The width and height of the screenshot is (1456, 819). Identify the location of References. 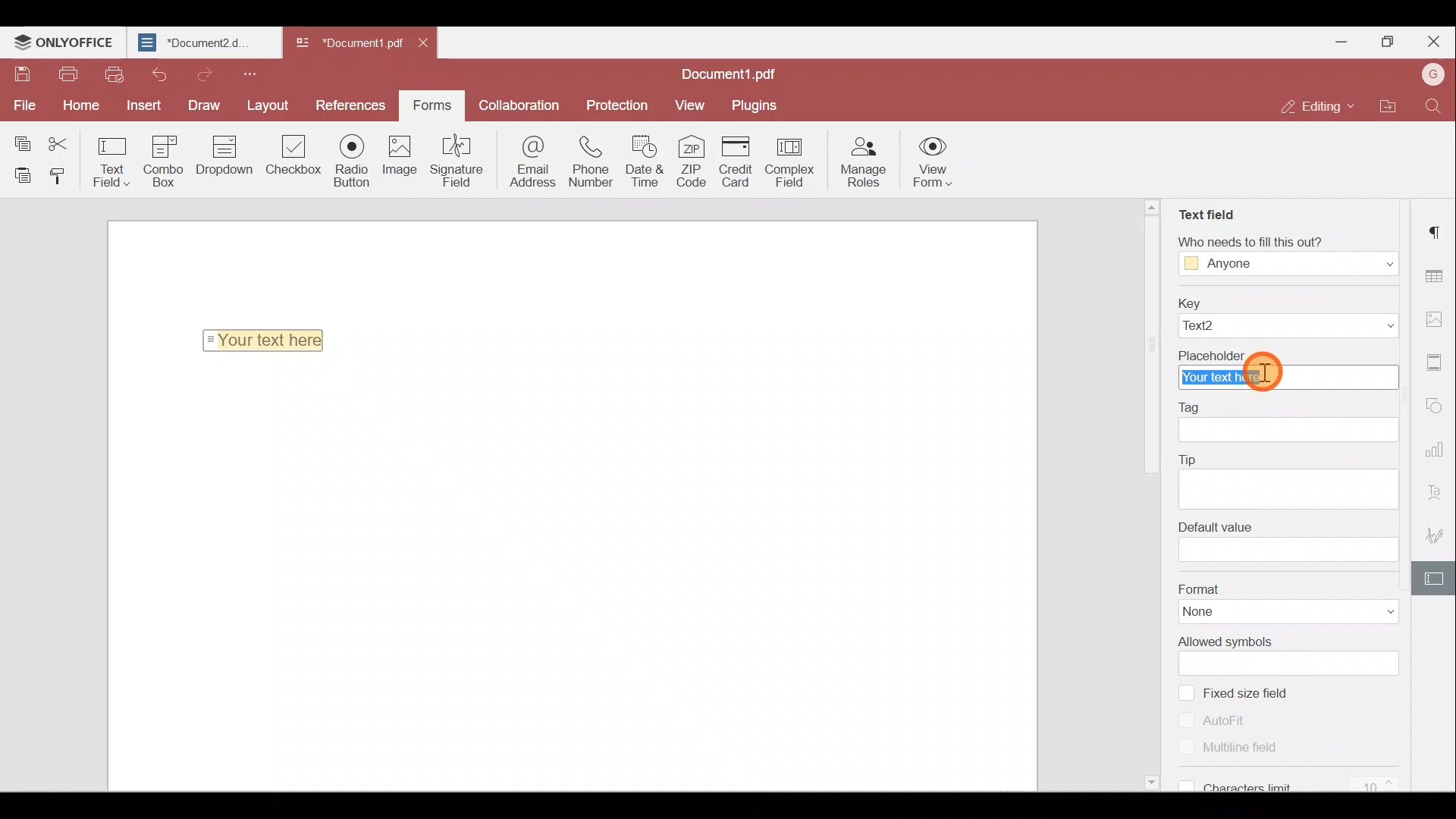
(349, 104).